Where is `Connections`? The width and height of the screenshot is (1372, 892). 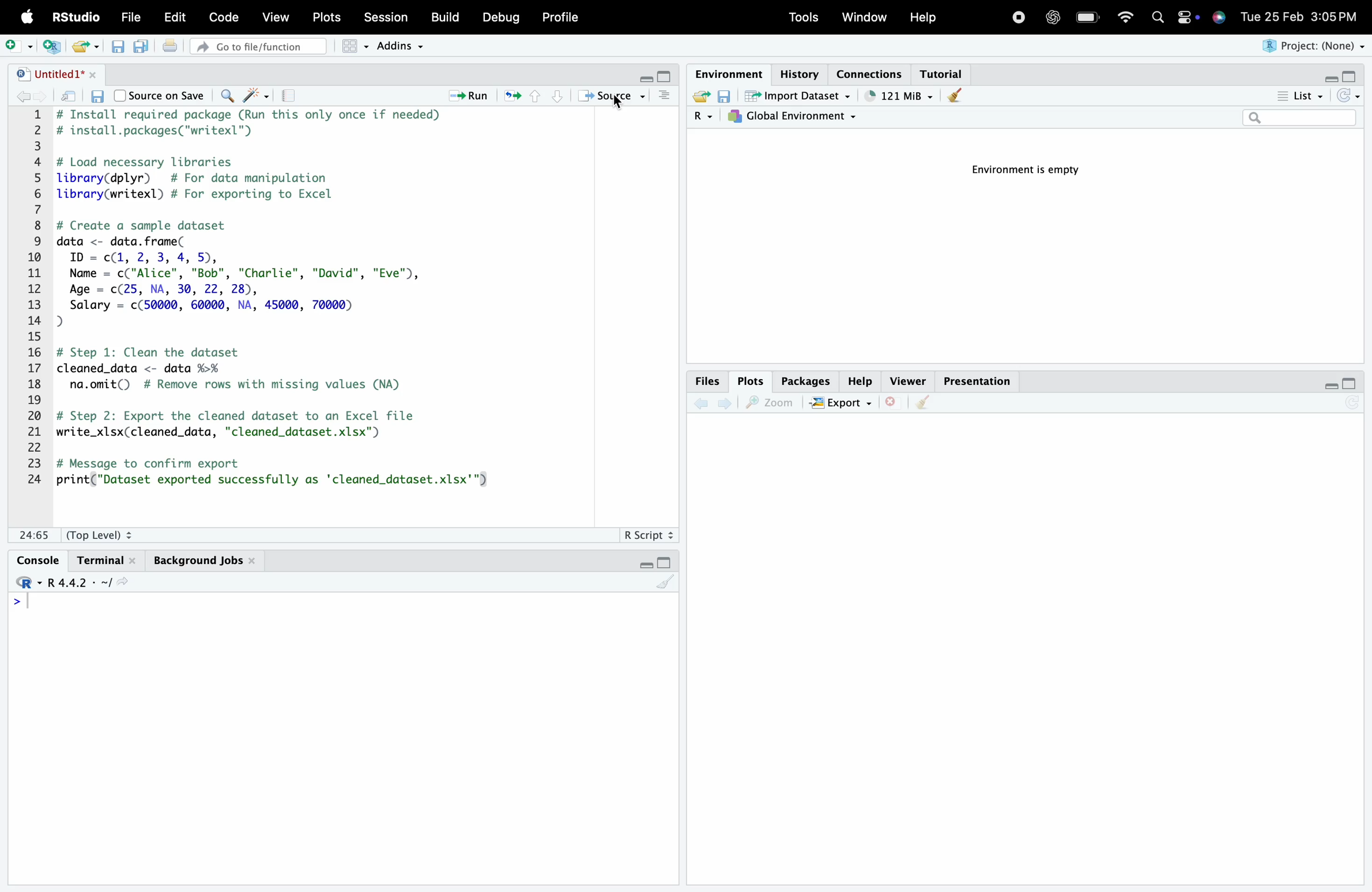 Connections is located at coordinates (873, 74).